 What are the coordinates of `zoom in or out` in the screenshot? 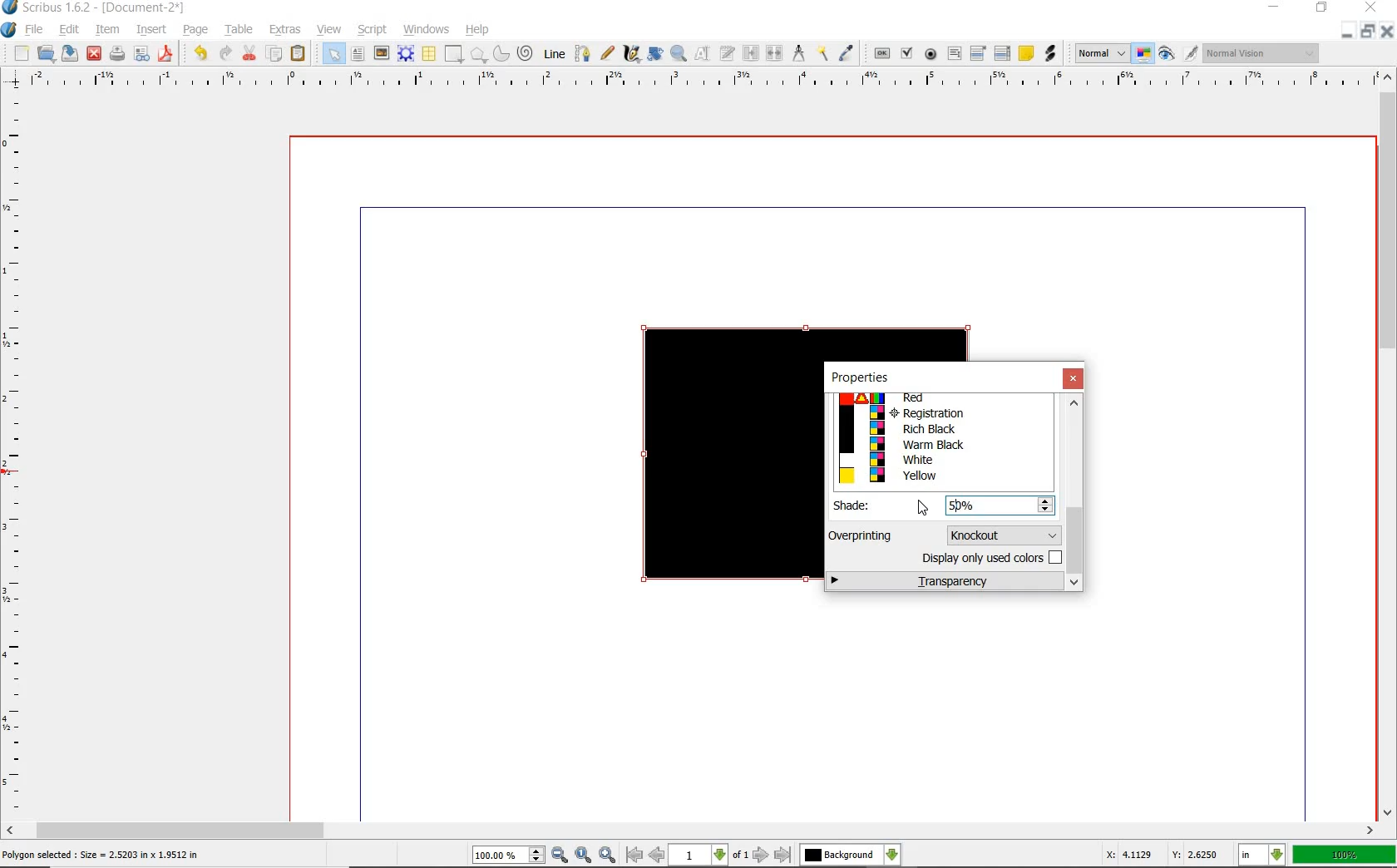 It's located at (679, 53).